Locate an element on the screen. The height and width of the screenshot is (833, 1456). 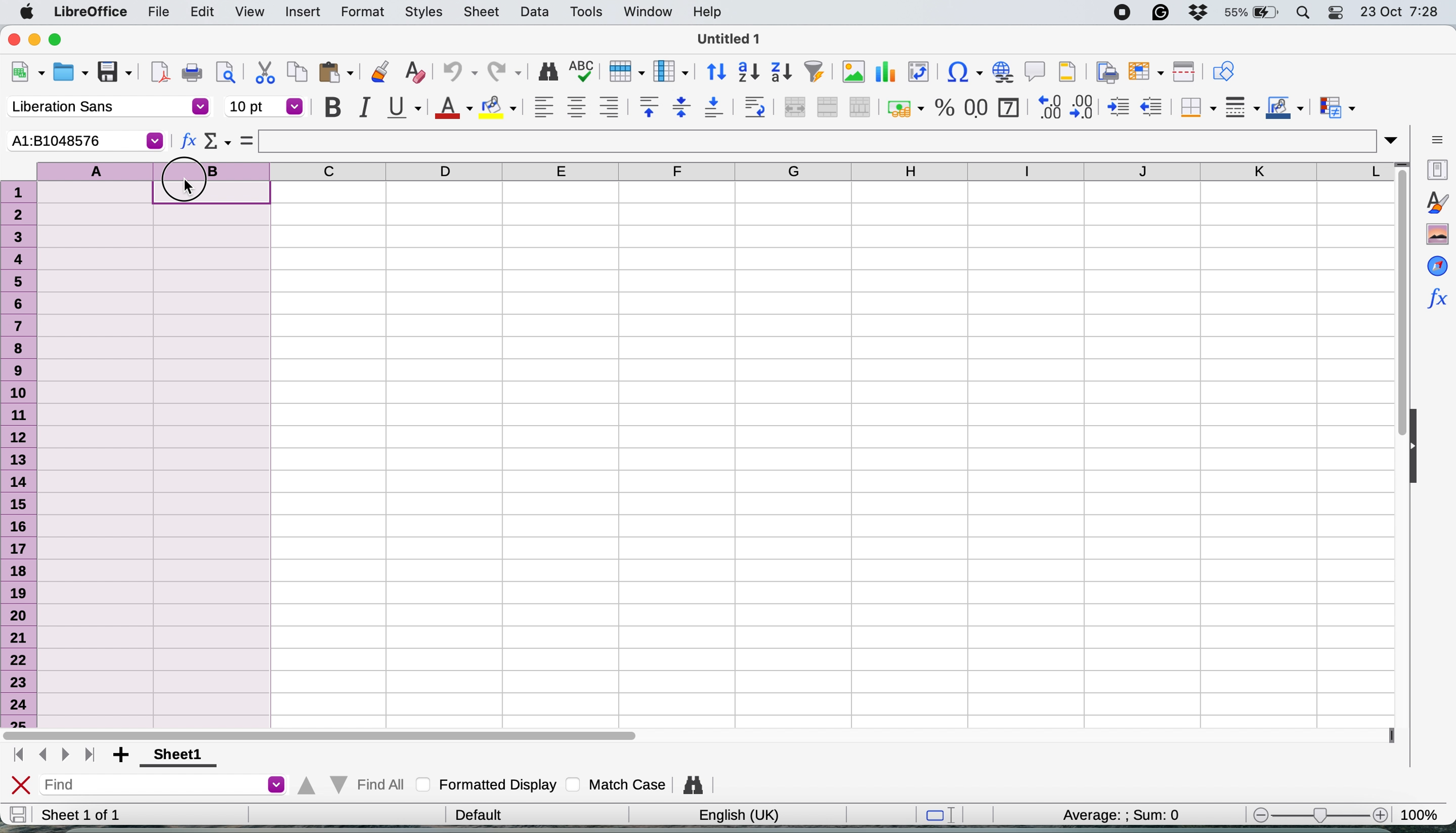
unmerge is located at coordinates (859, 106).